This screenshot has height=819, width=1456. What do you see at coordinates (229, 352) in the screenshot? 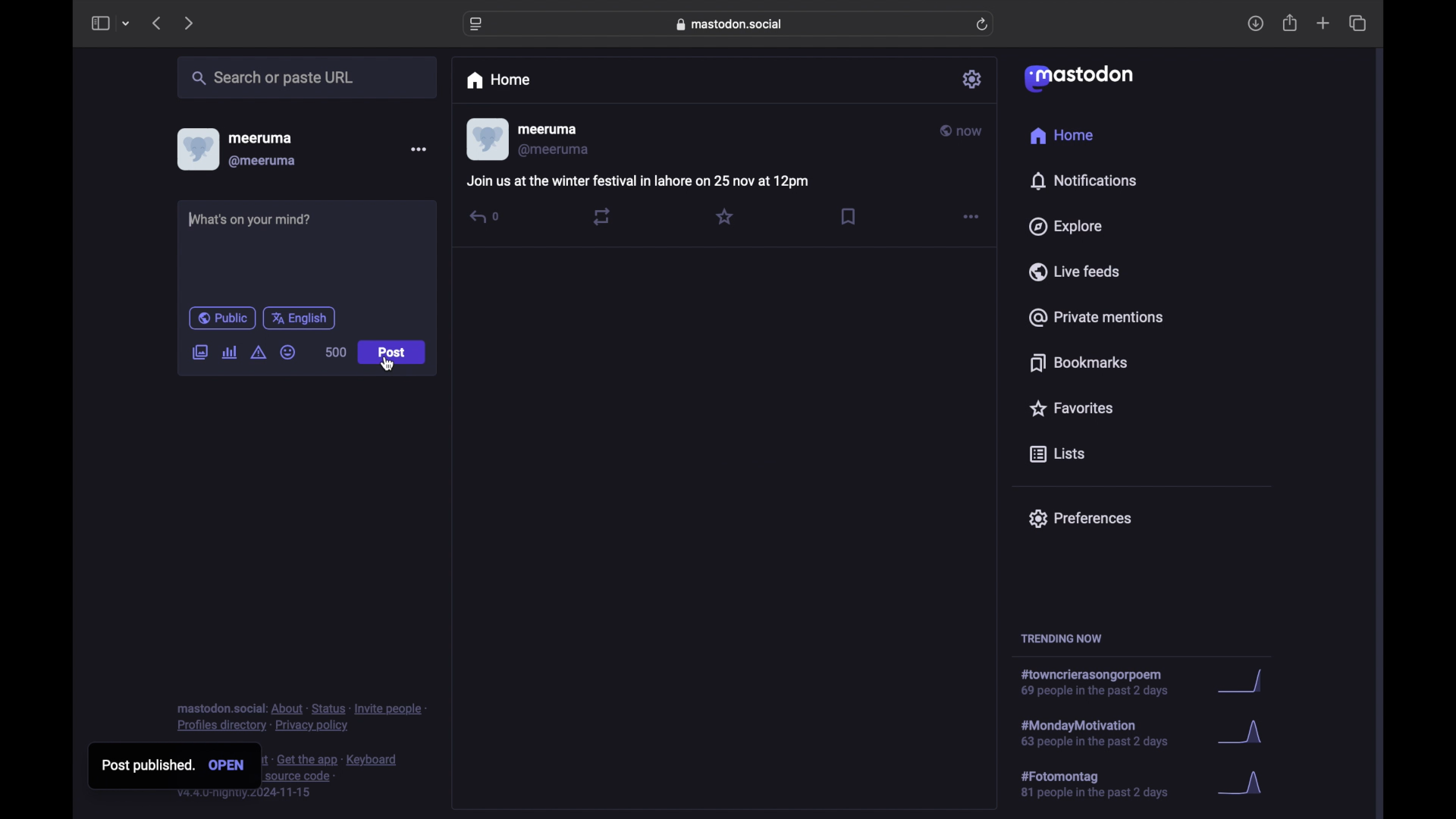
I see `add  poll` at bounding box center [229, 352].